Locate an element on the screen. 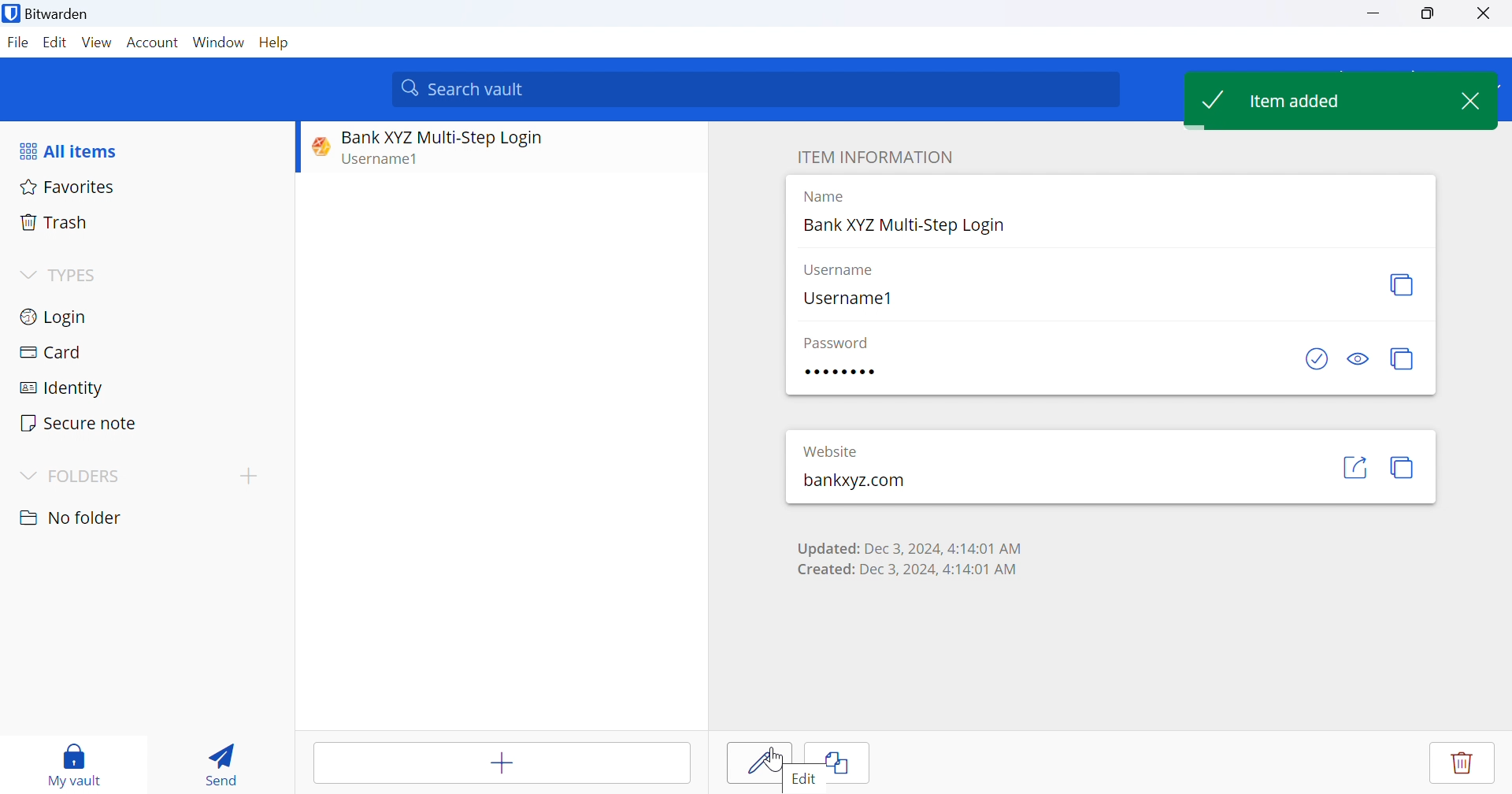 Image resolution: width=1512 pixels, height=794 pixels. Close is located at coordinates (1486, 15).